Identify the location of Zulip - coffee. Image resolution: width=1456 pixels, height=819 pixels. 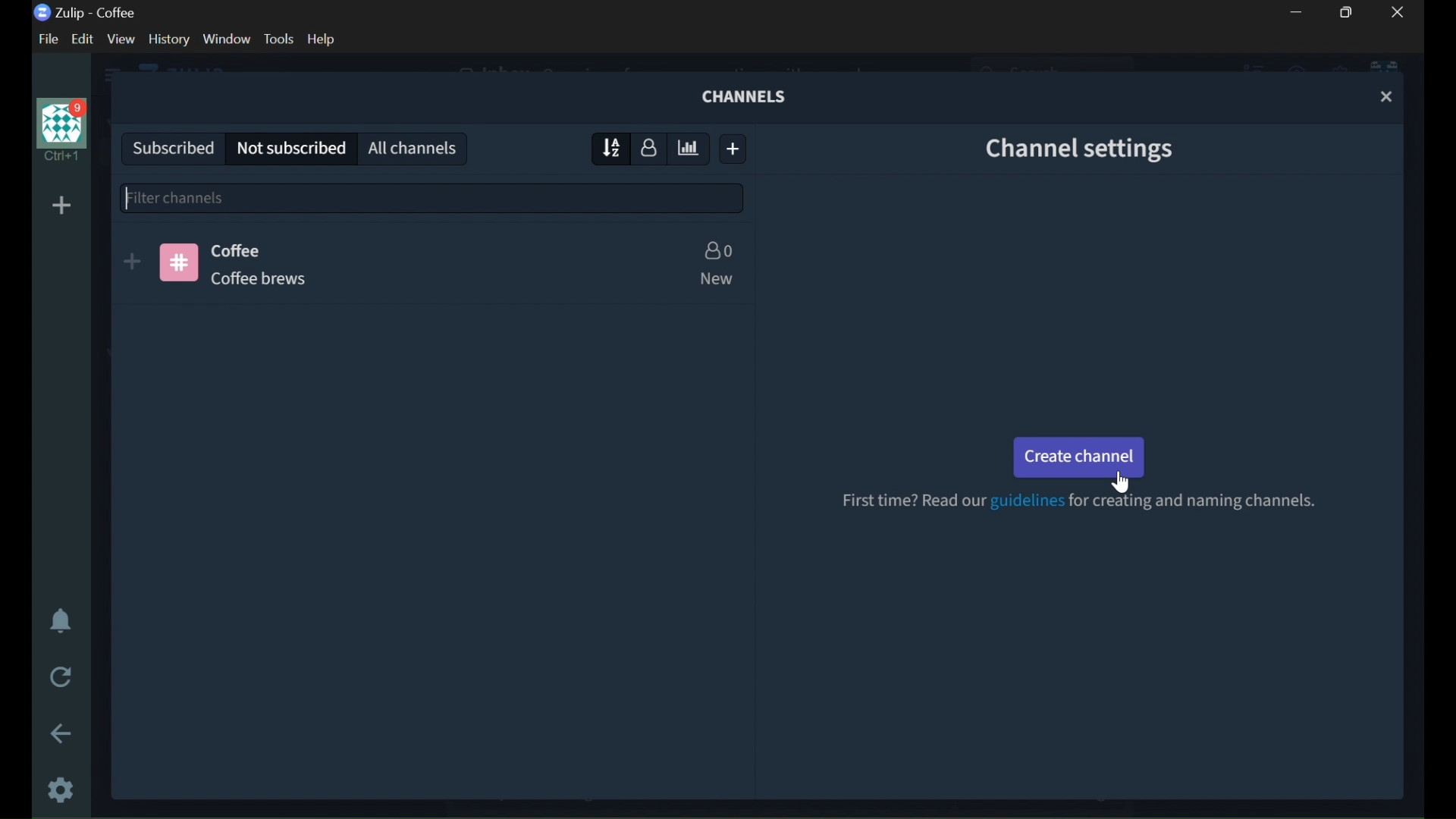
(85, 13).